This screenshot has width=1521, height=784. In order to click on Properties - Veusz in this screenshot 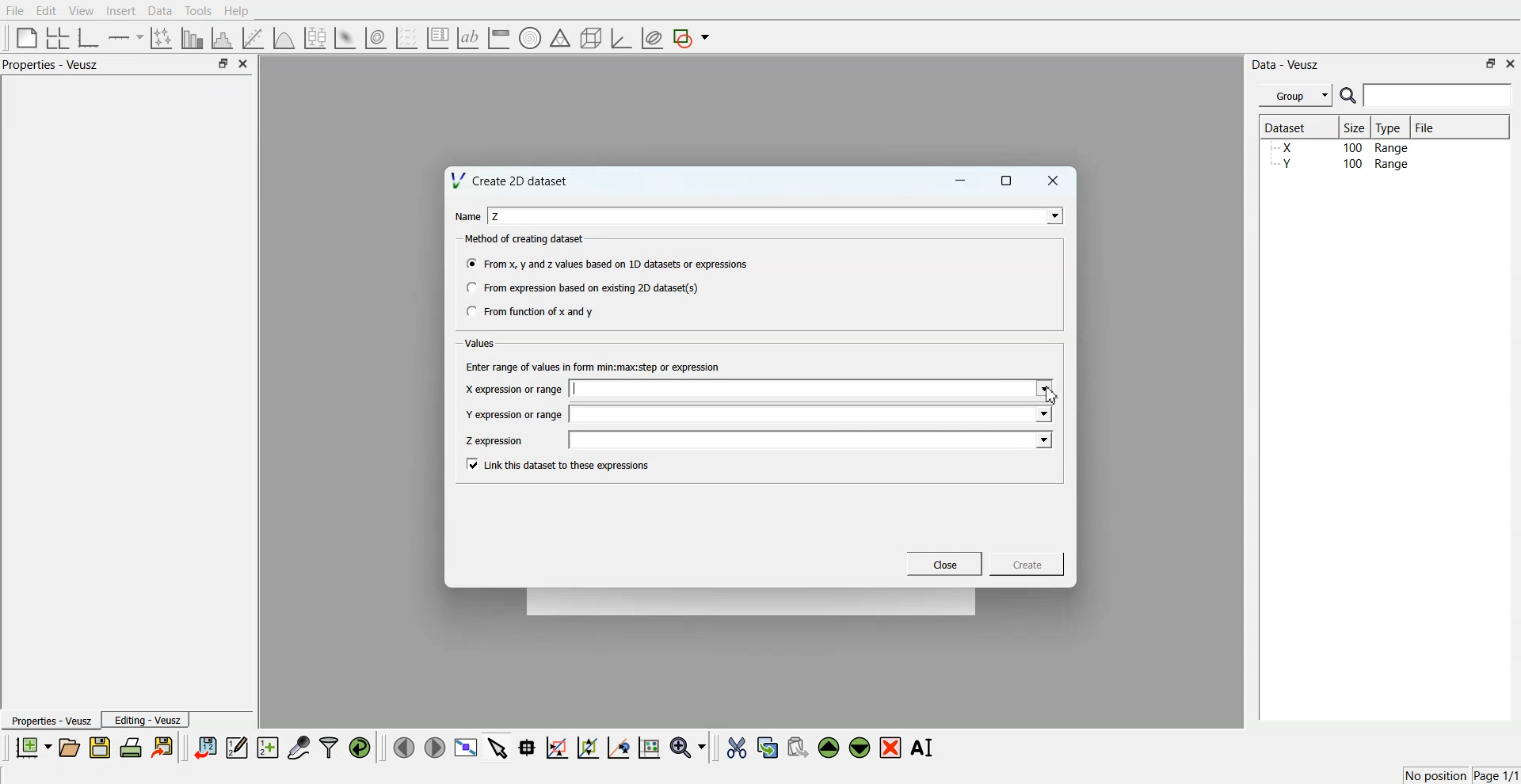, I will do `click(50, 720)`.